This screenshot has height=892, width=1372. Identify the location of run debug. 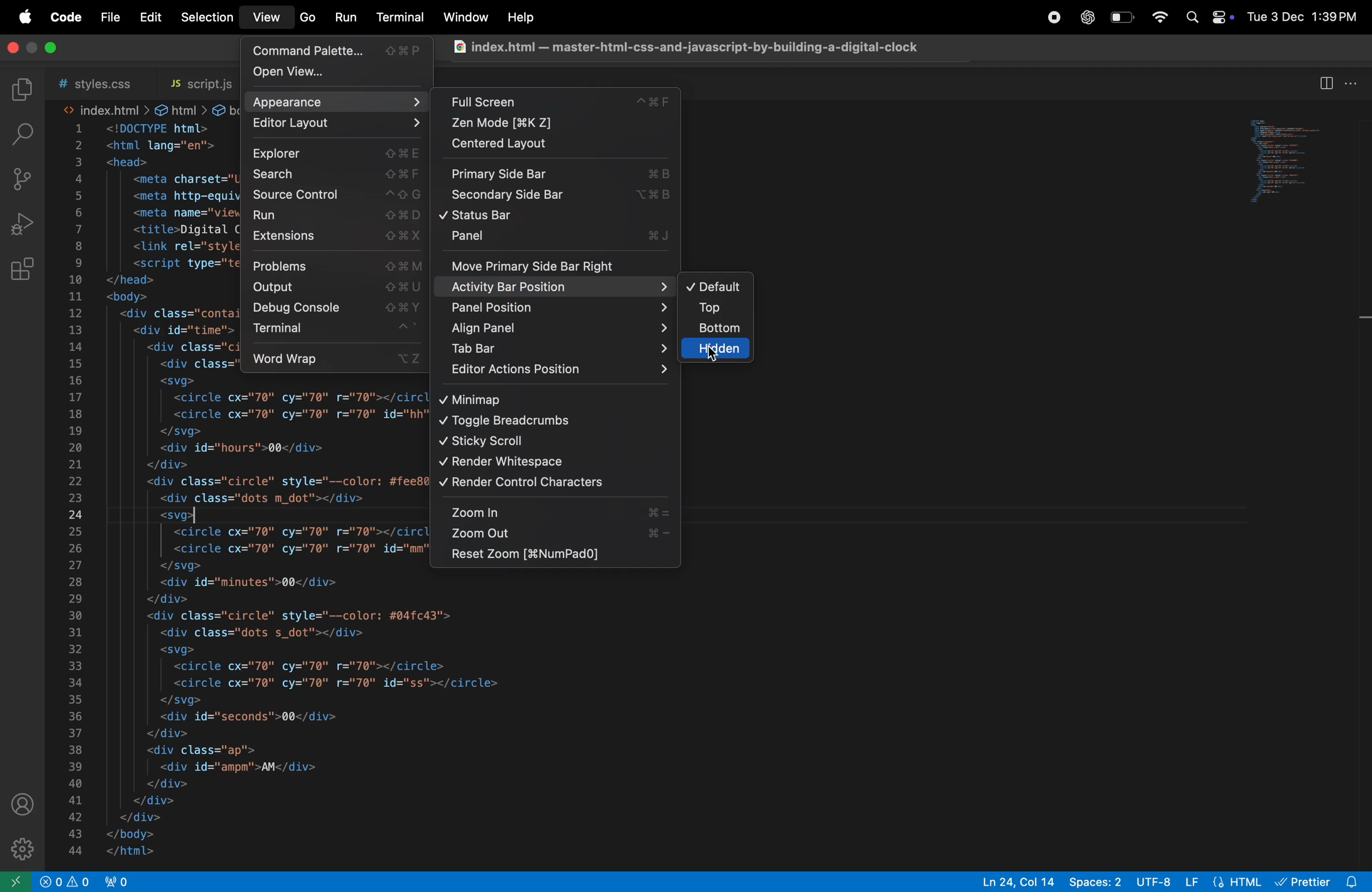
(24, 224).